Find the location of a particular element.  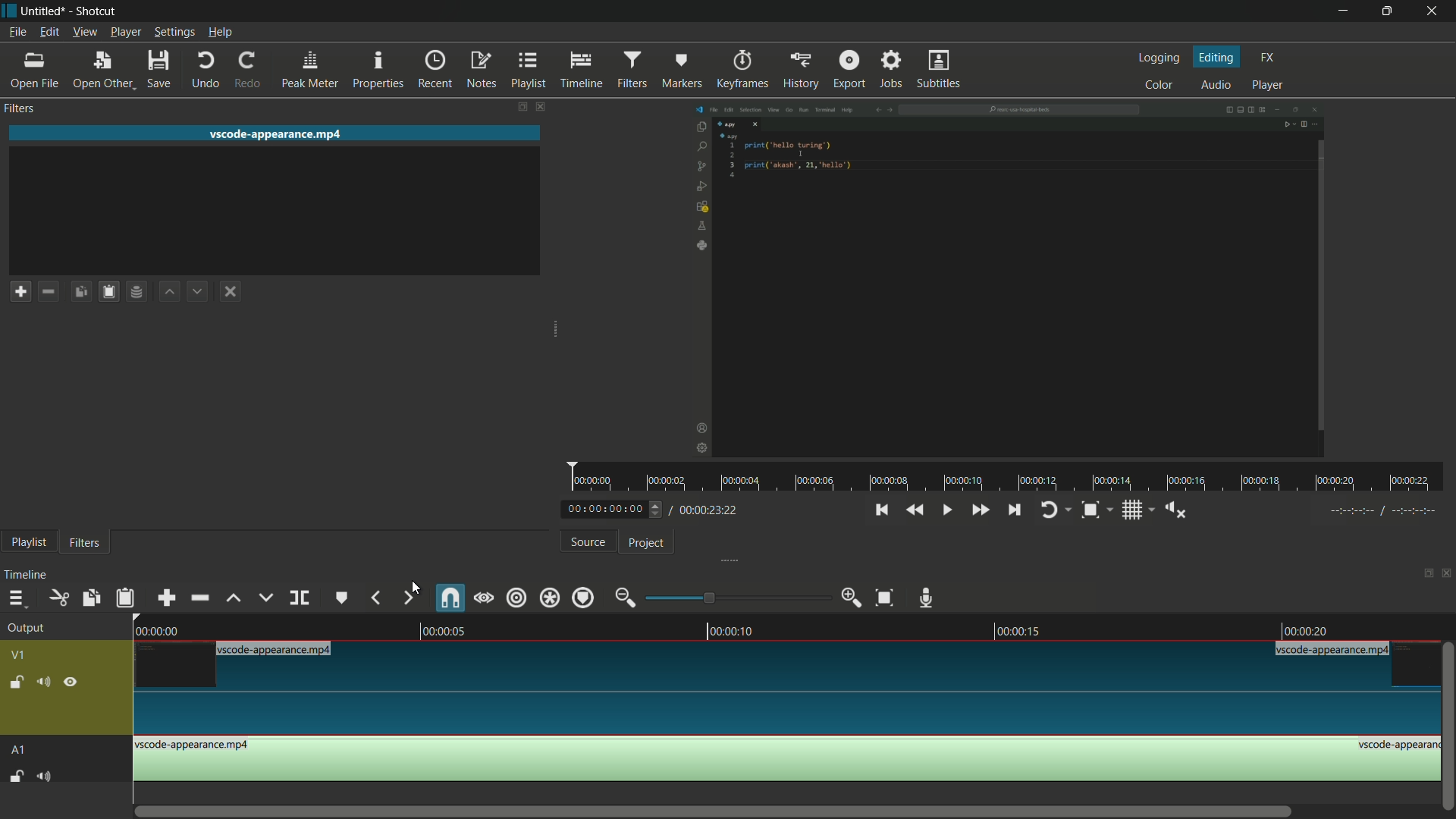

add a filter is located at coordinates (20, 290).